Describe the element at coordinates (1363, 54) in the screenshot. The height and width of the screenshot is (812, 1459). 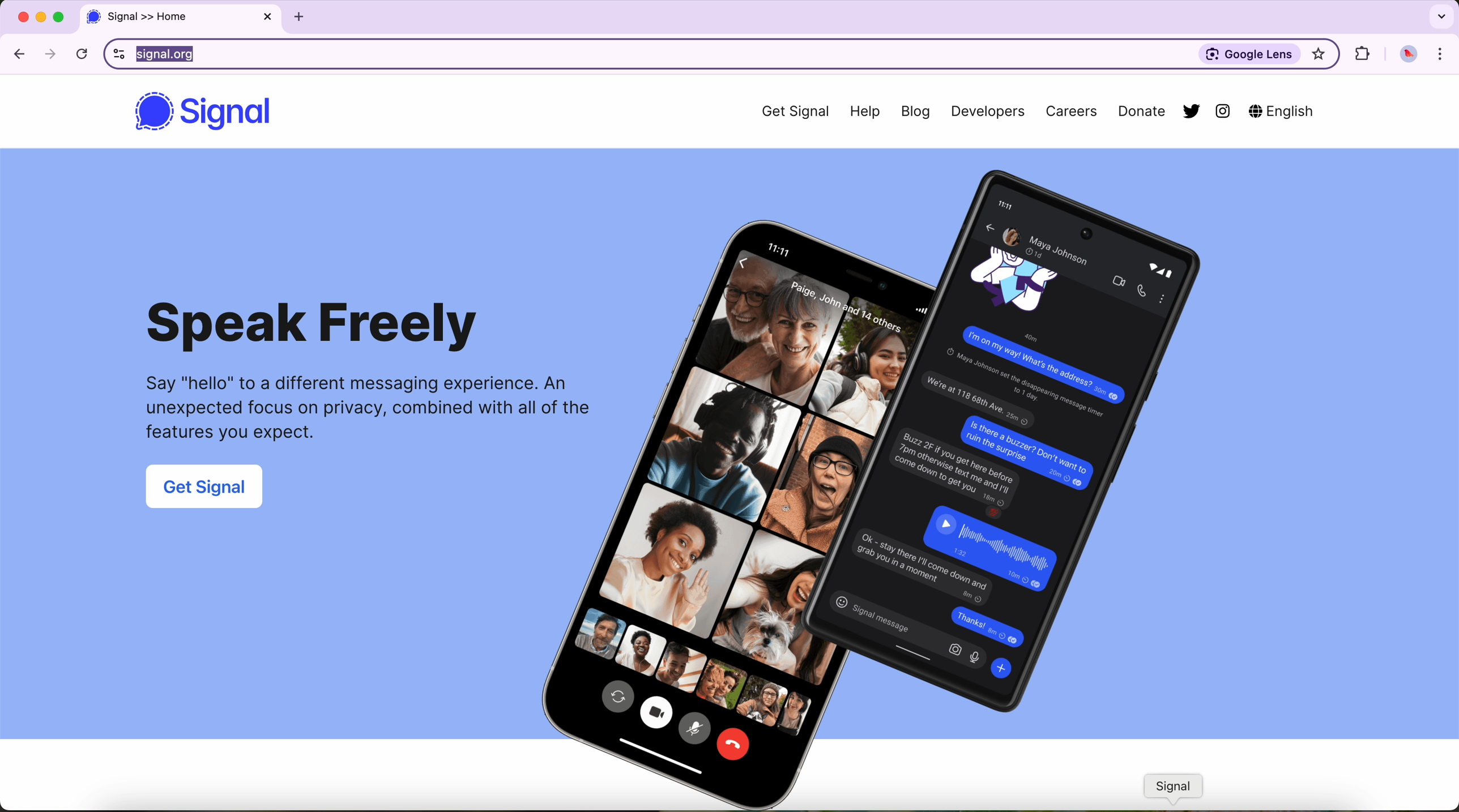
I see `extensions` at that location.